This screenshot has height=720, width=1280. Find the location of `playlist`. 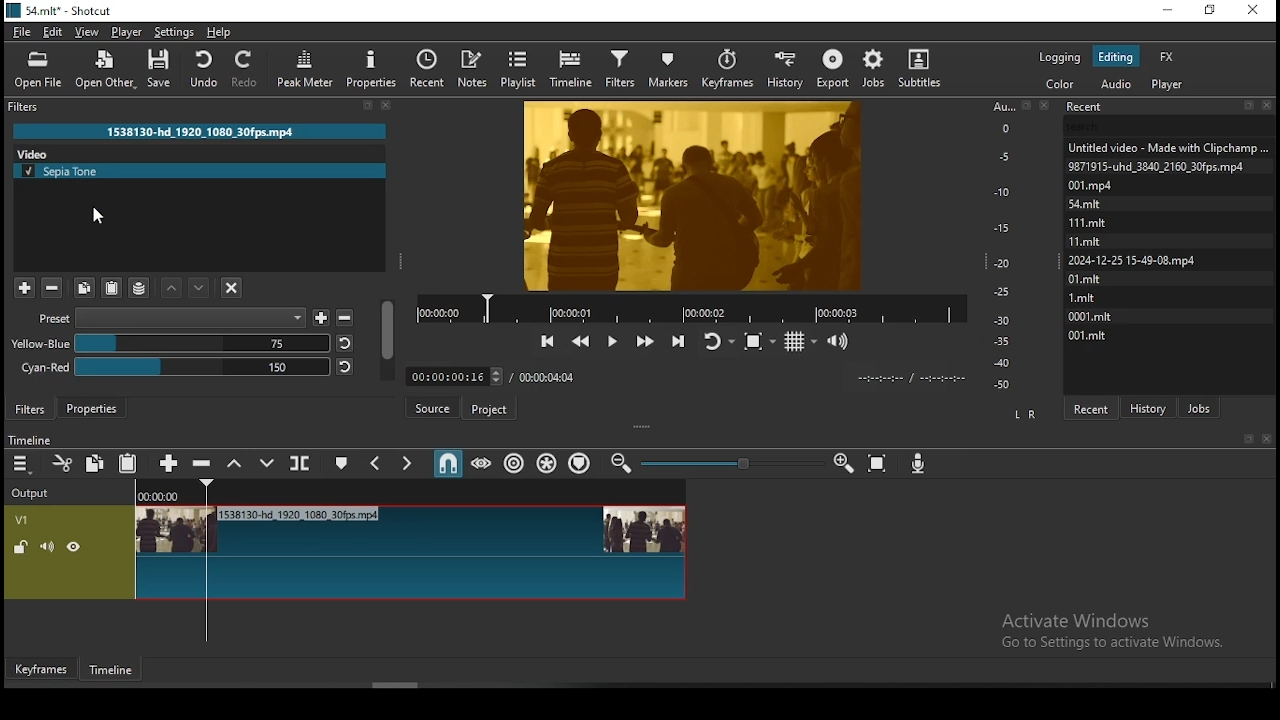

playlist is located at coordinates (521, 67).